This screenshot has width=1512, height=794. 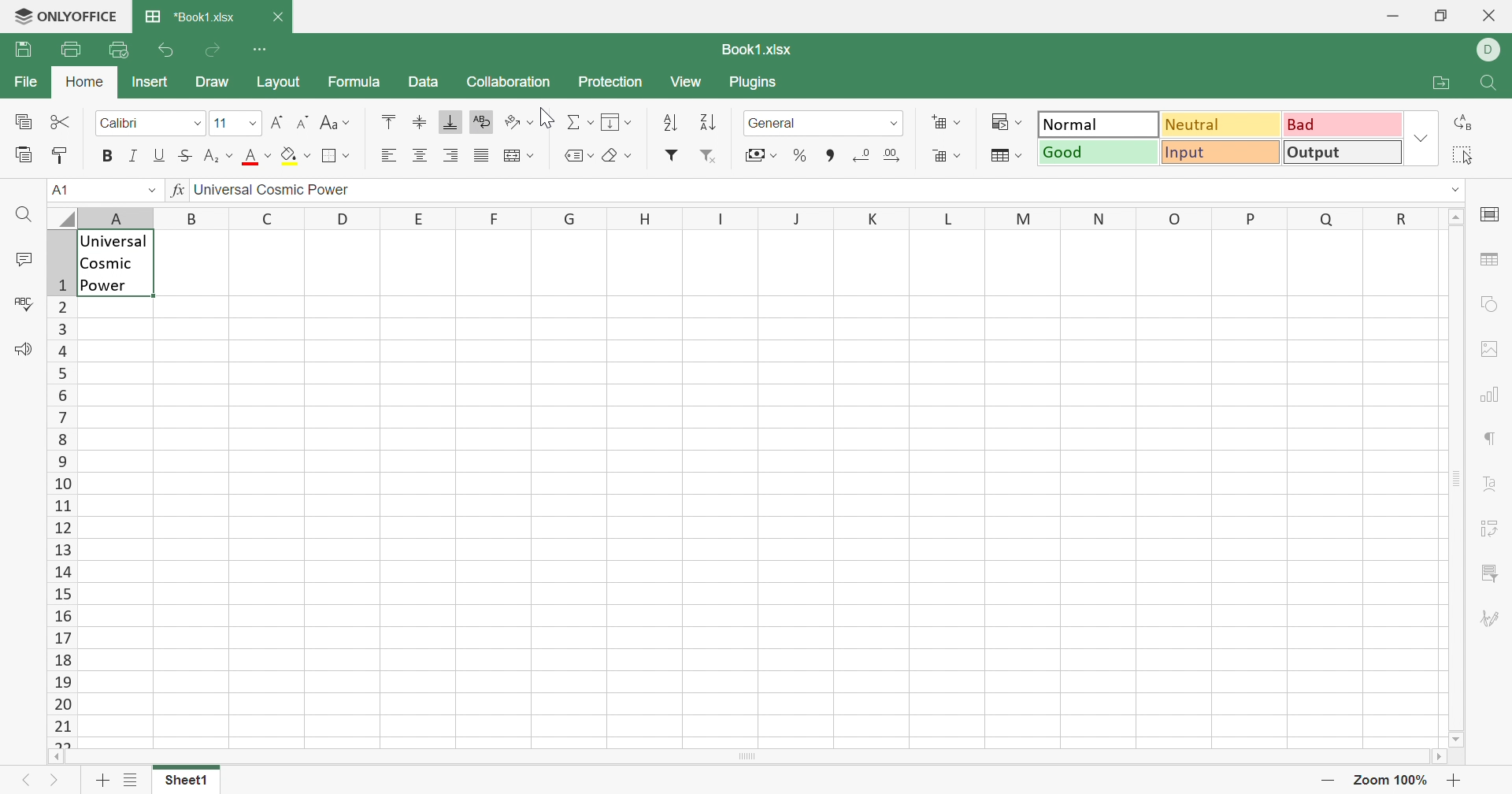 What do you see at coordinates (132, 157) in the screenshot?
I see `Italic` at bounding box center [132, 157].